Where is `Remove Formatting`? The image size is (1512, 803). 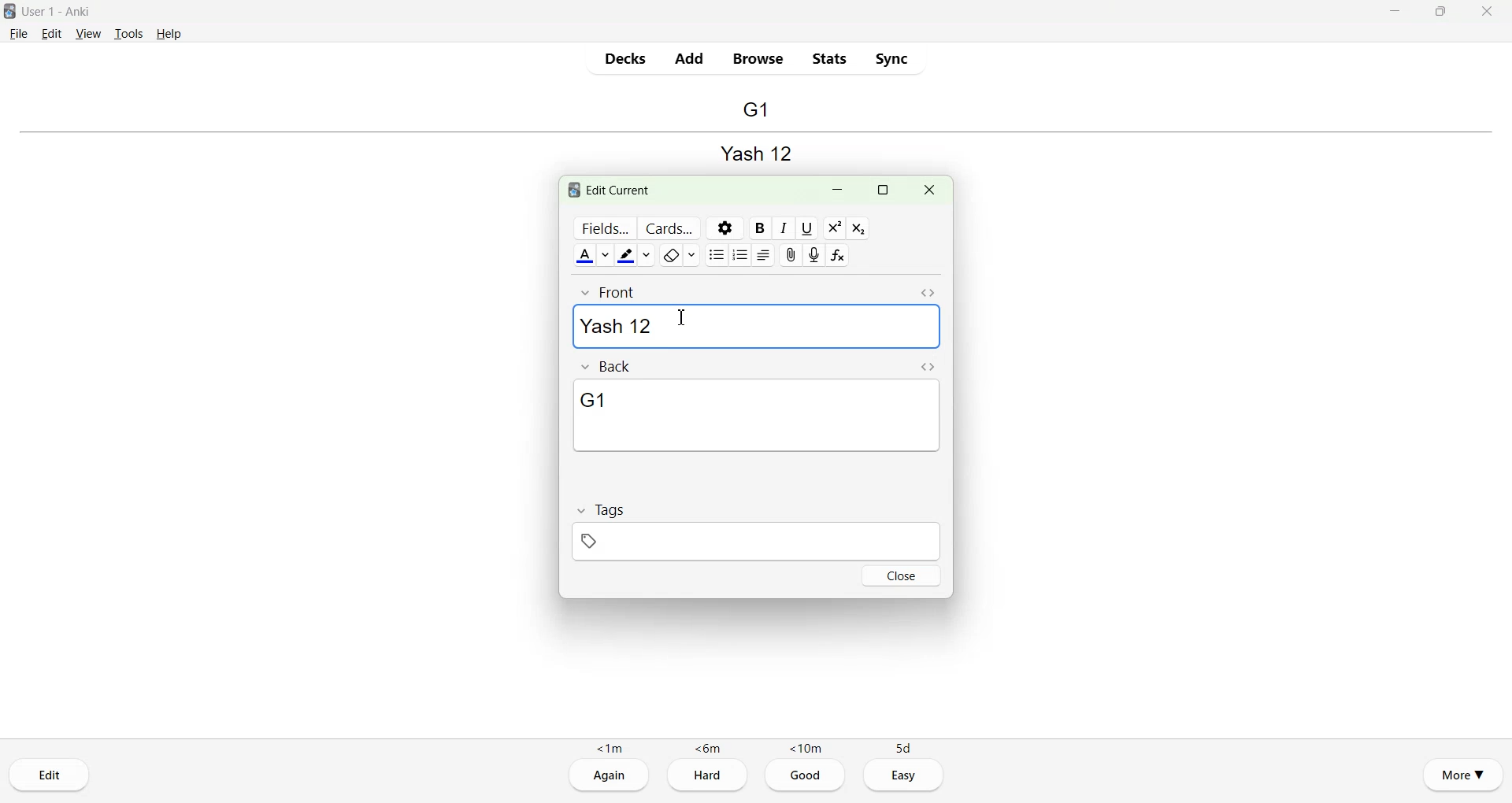 Remove Formatting is located at coordinates (672, 255).